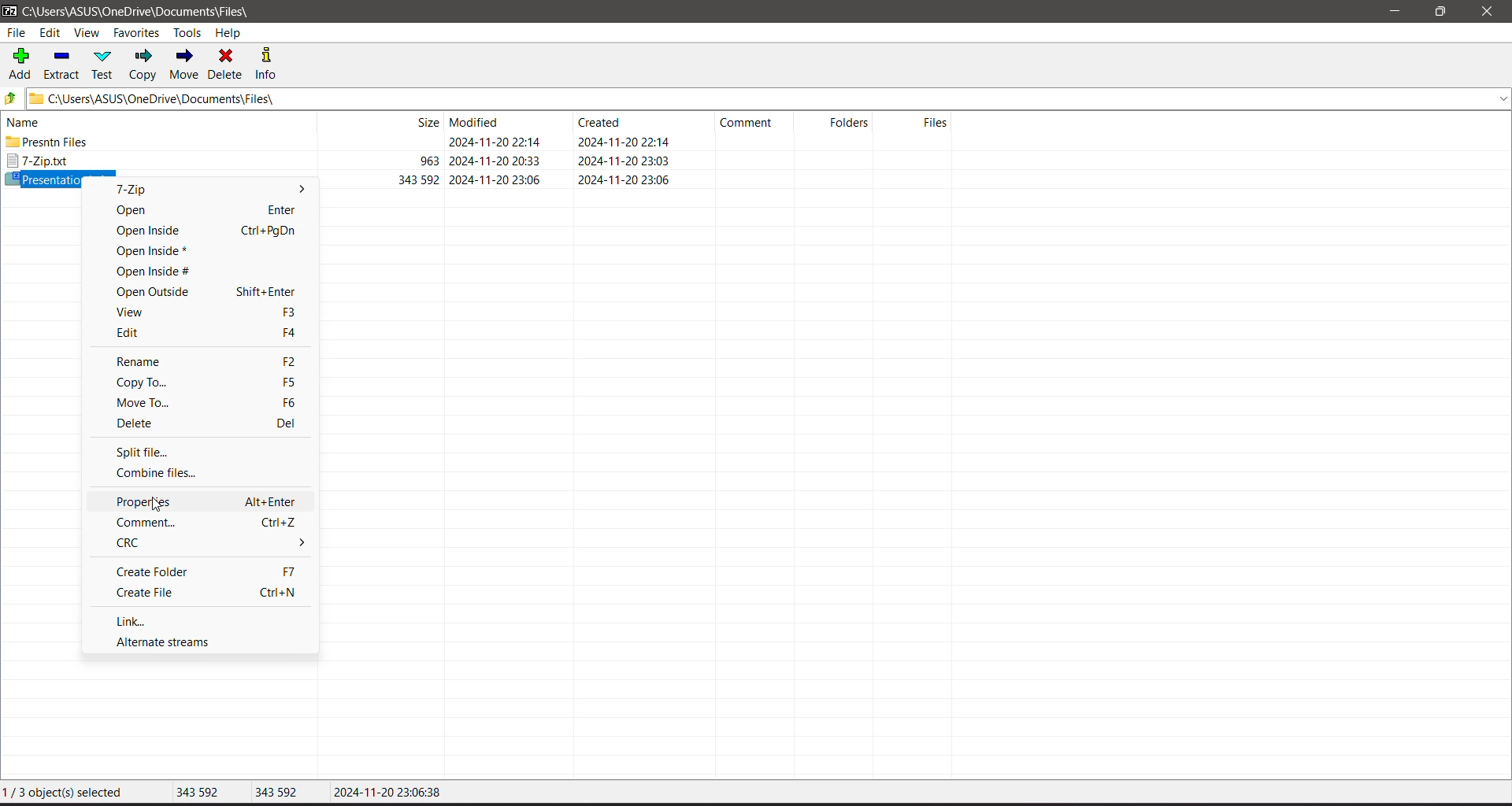 The width and height of the screenshot is (1512, 806). Describe the element at coordinates (227, 63) in the screenshot. I see `Delete` at that location.